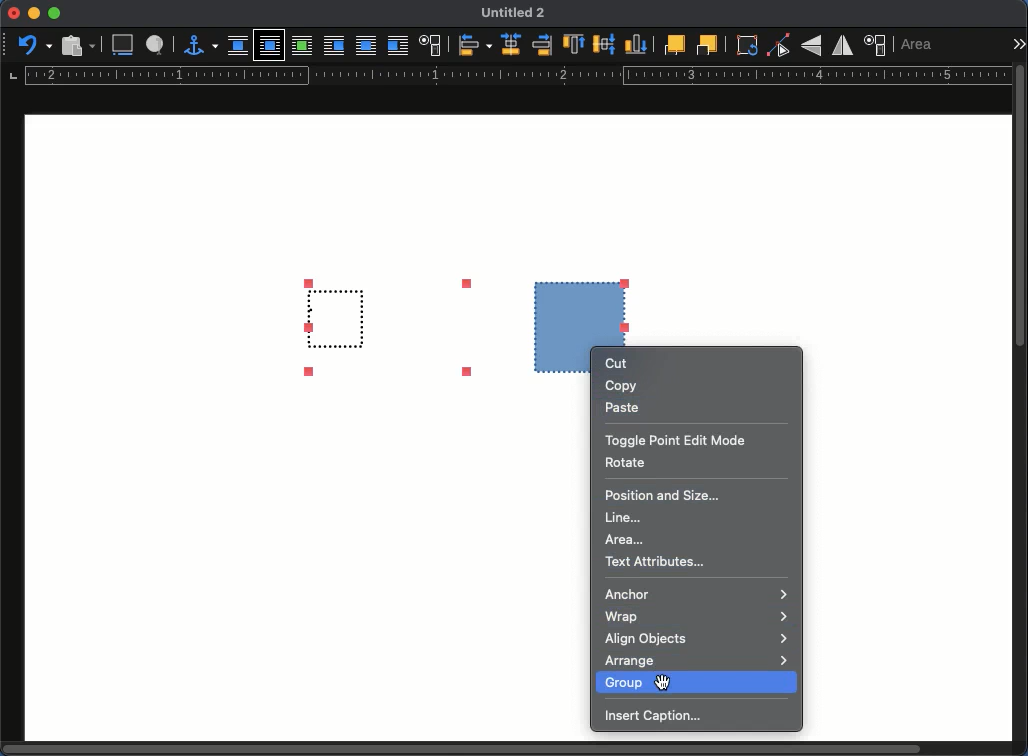 Image resolution: width=1028 pixels, height=756 pixels. What do you see at coordinates (697, 639) in the screenshot?
I see `align objects` at bounding box center [697, 639].